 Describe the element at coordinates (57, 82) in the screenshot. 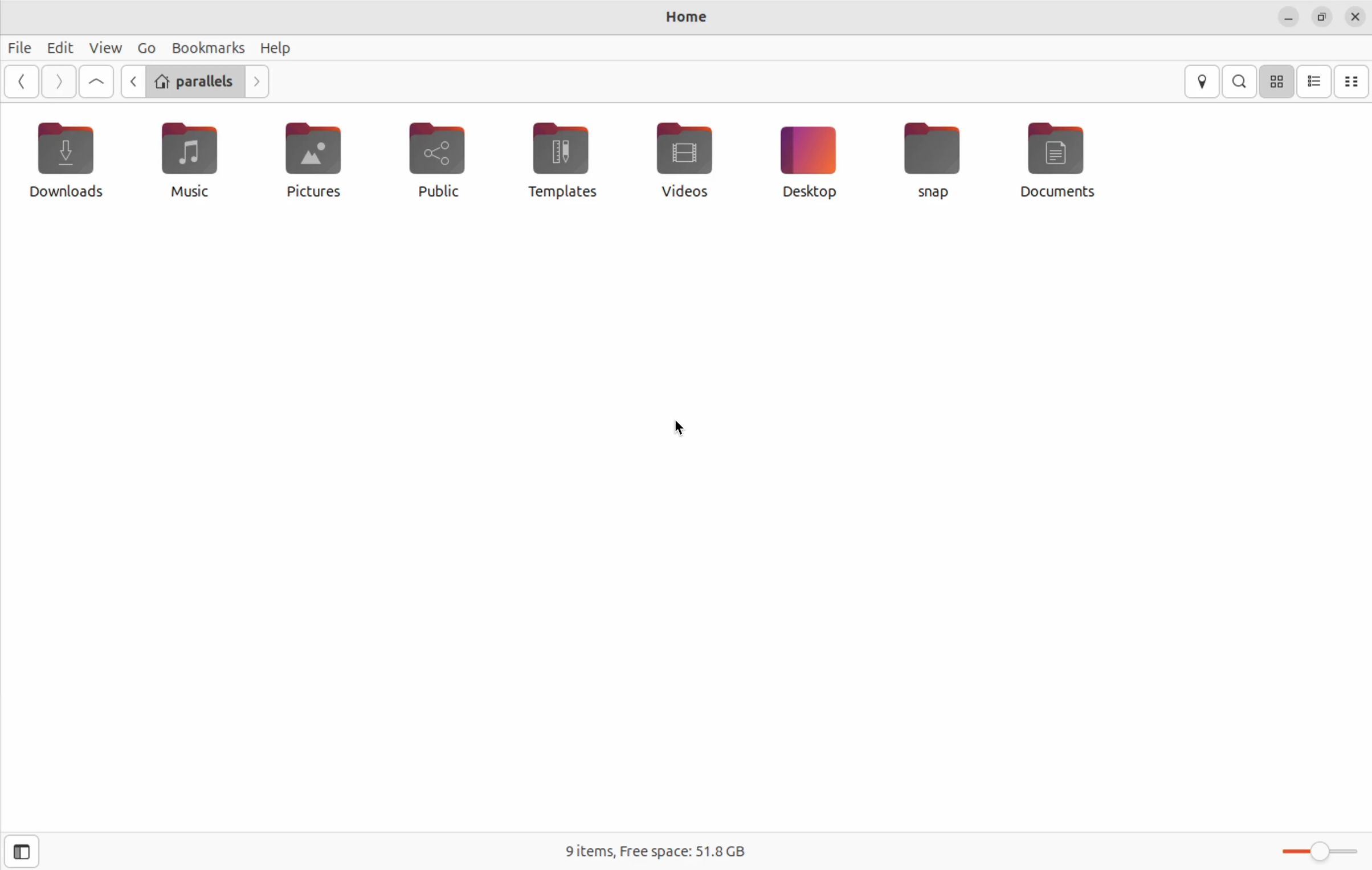

I see `Go next` at that location.